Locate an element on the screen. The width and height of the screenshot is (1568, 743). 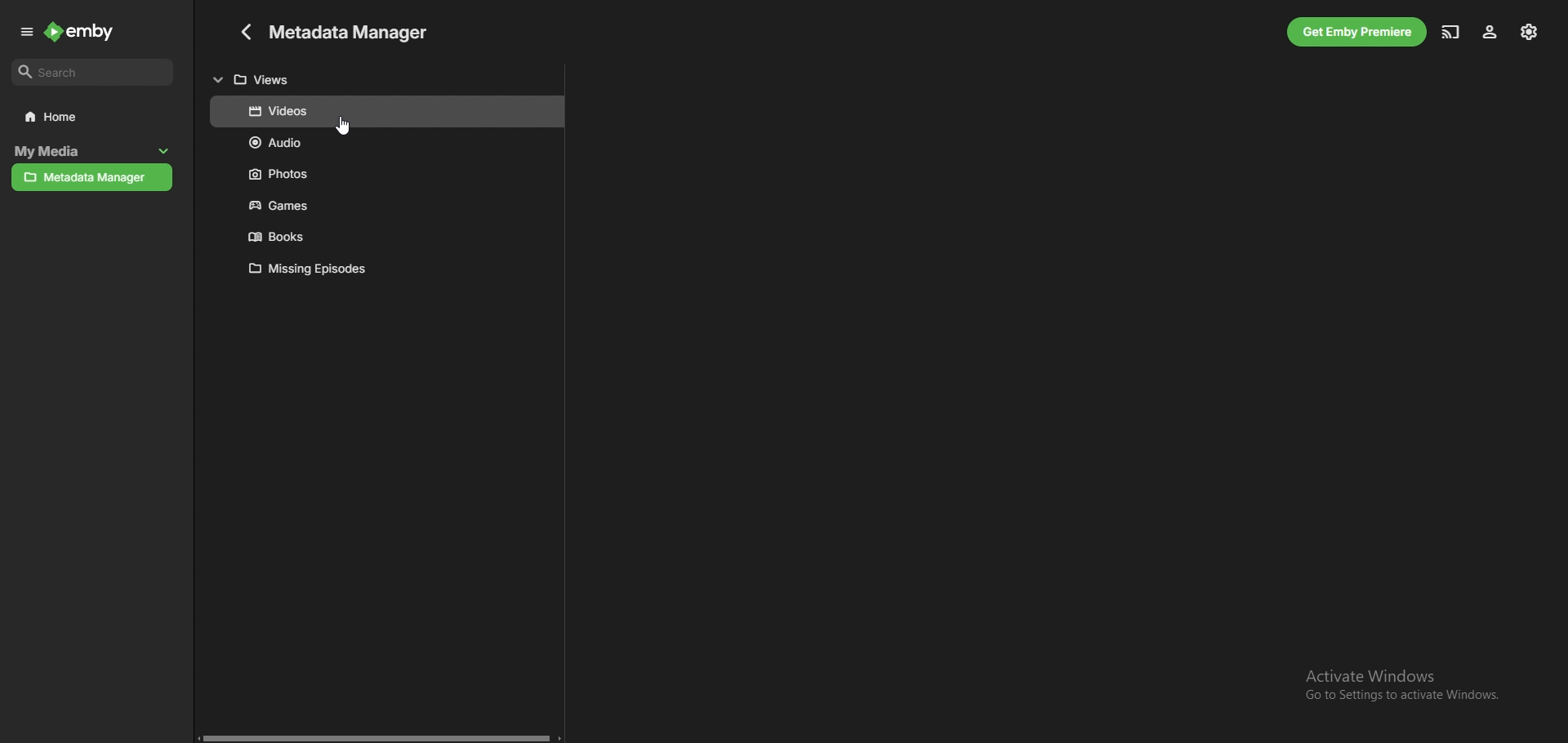
cast is located at coordinates (1450, 32).